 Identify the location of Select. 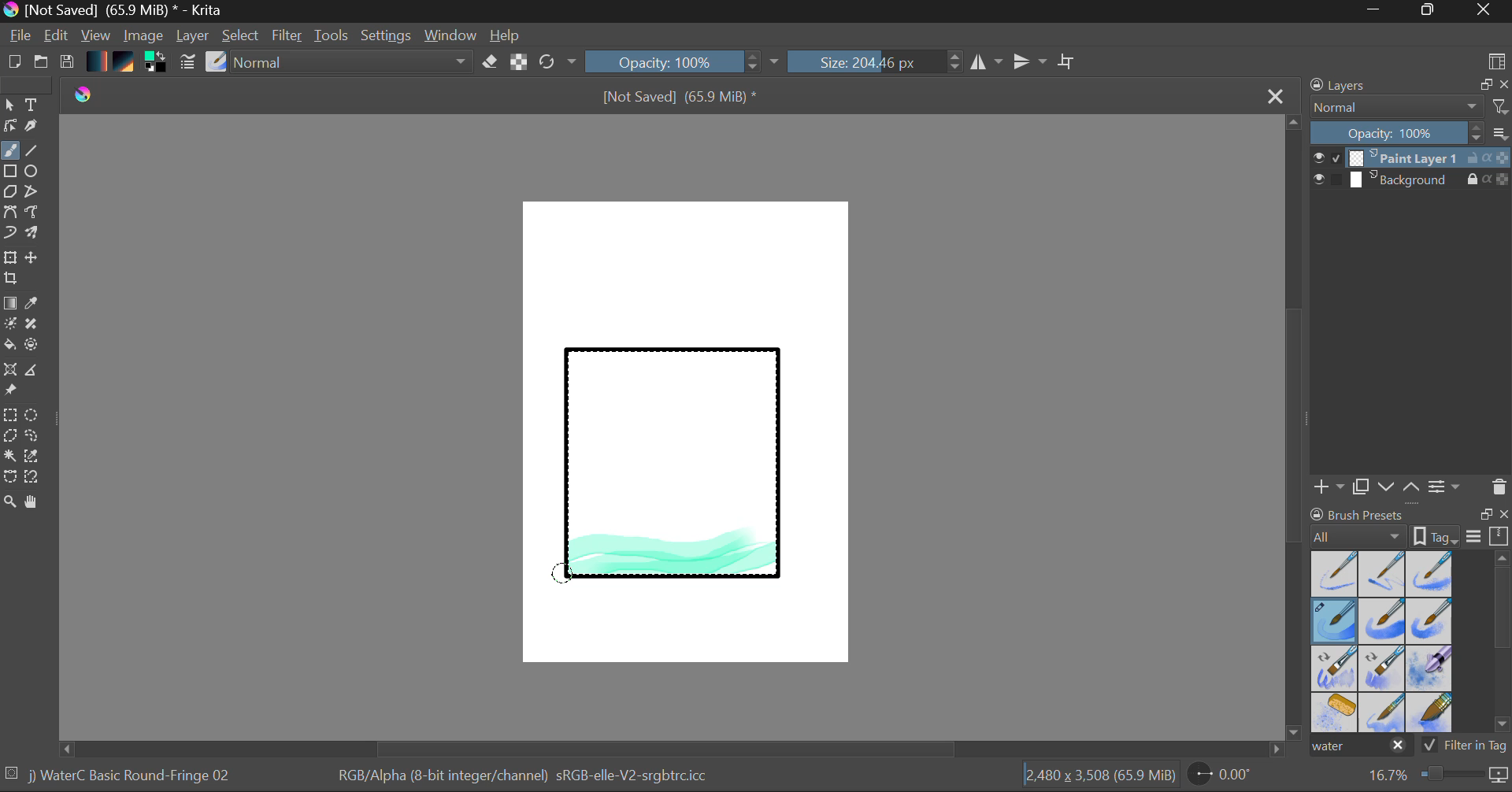
(9, 105).